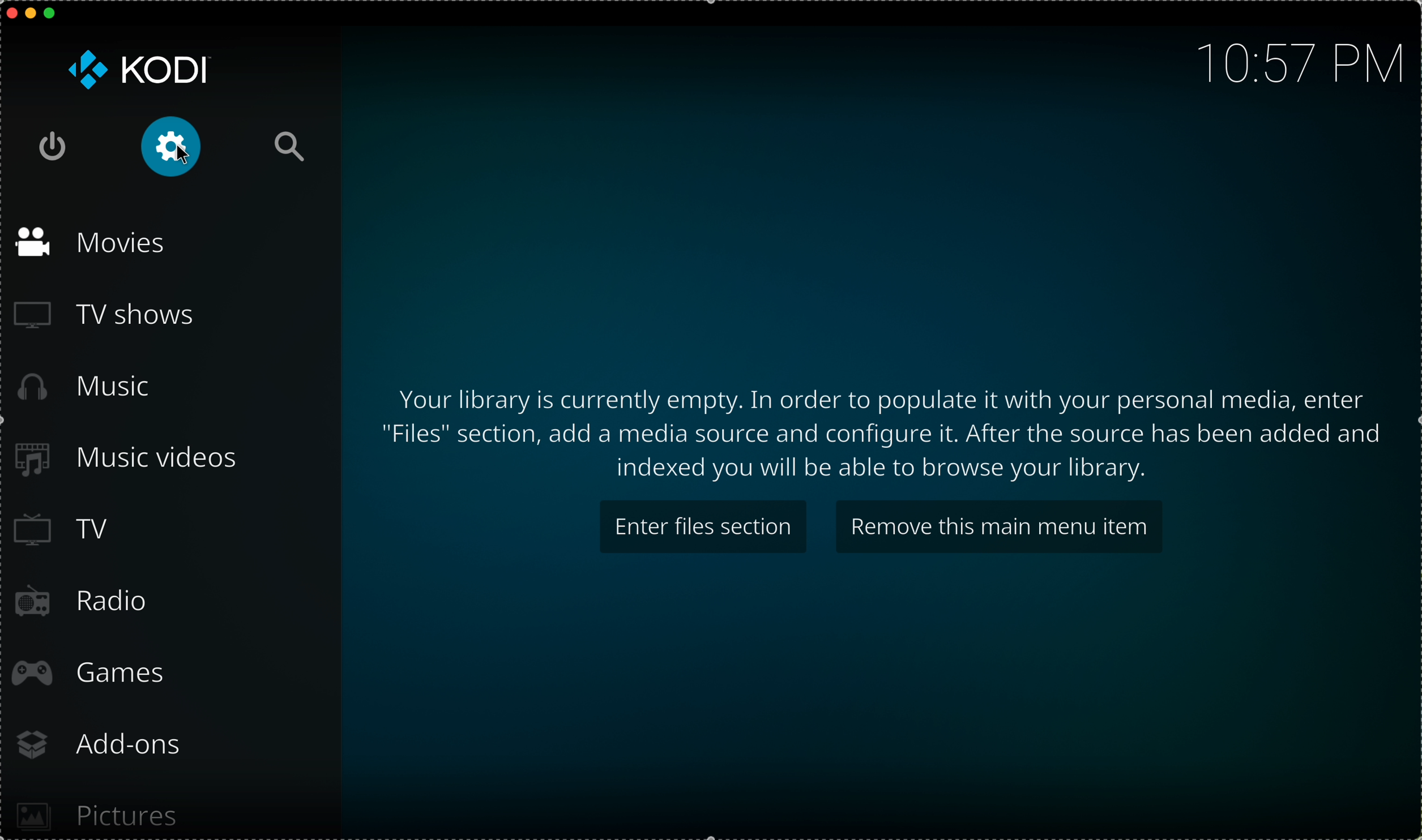  Describe the element at coordinates (93, 674) in the screenshot. I see `games` at that location.